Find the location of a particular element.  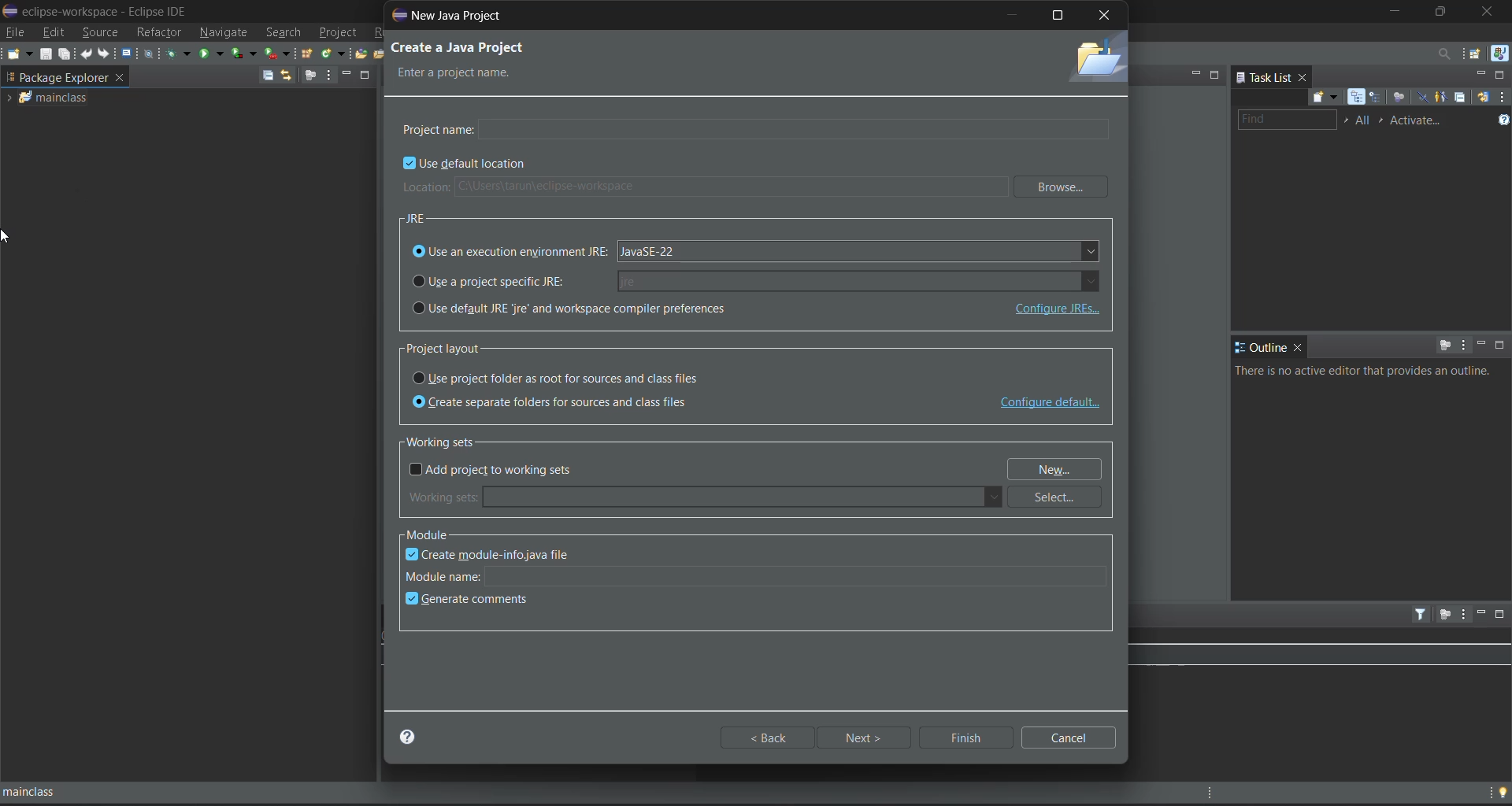

configure default is located at coordinates (1050, 404).